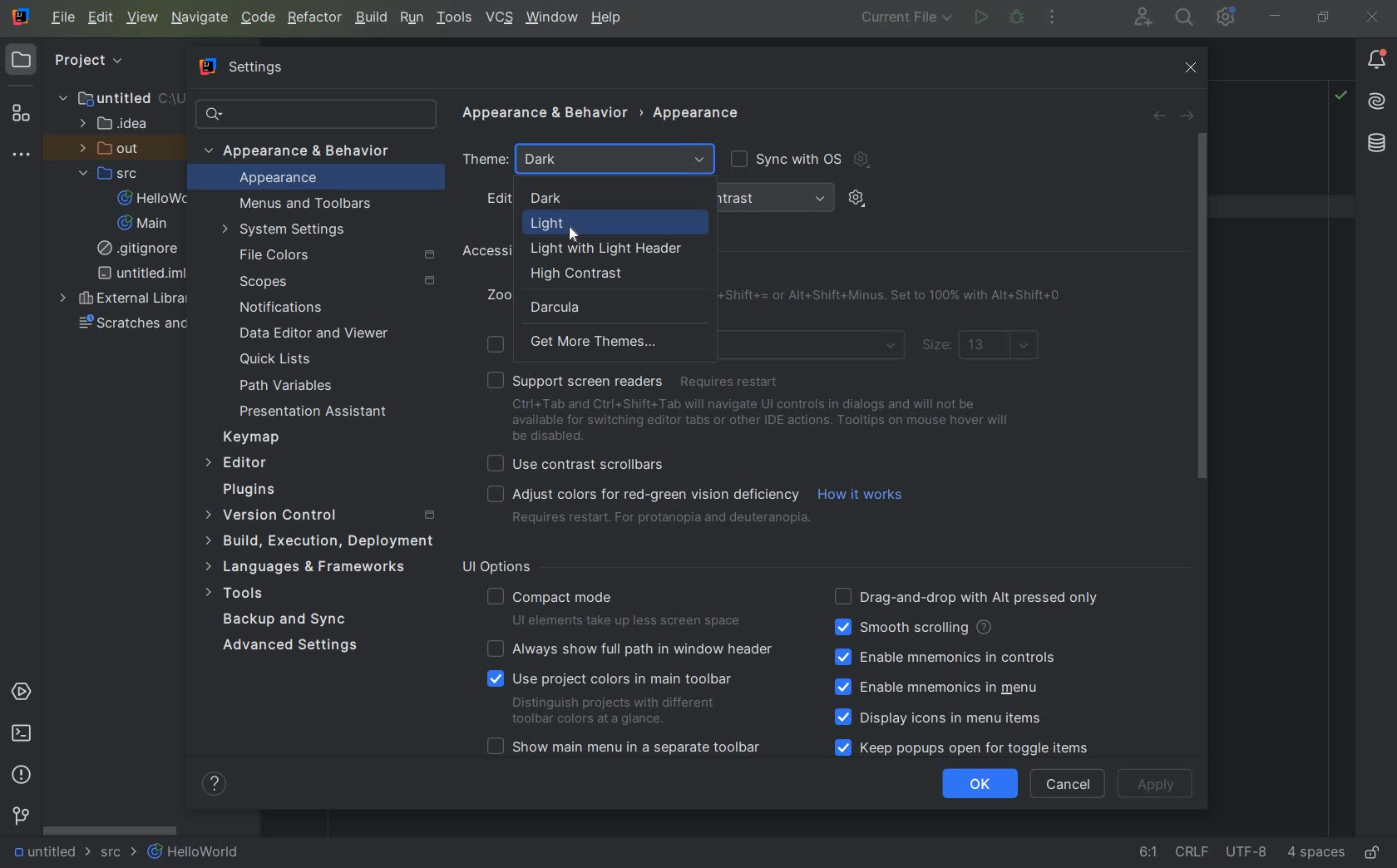 This screenshot has width=1397, height=868. Describe the element at coordinates (633, 649) in the screenshot. I see `always show full path in window header` at that location.